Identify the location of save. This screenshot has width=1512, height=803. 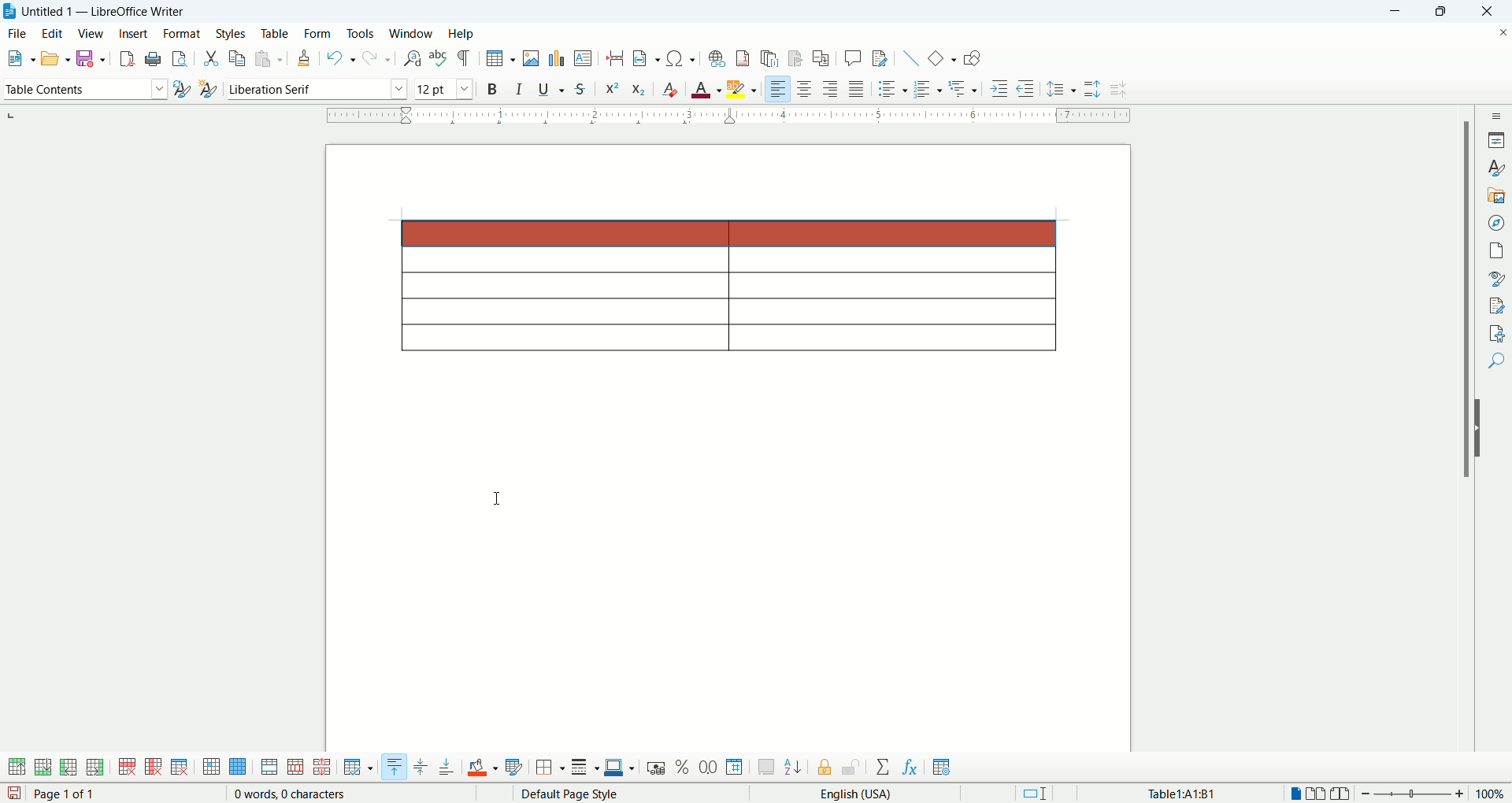
(90, 58).